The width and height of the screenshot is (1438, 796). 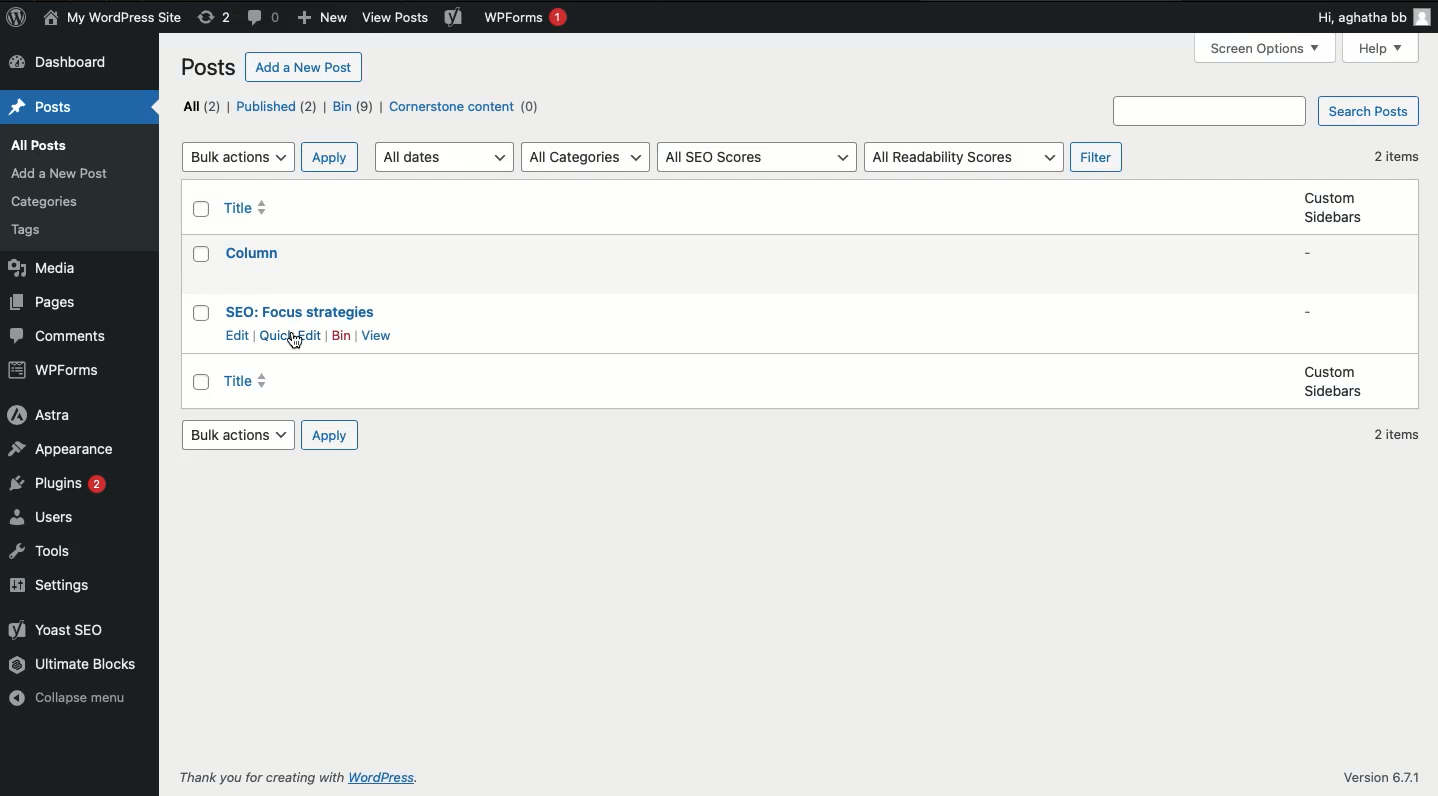 What do you see at coordinates (1331, 207) in the screenshot?
I see `Custom sidebars` at bounding box center [1331, 207].